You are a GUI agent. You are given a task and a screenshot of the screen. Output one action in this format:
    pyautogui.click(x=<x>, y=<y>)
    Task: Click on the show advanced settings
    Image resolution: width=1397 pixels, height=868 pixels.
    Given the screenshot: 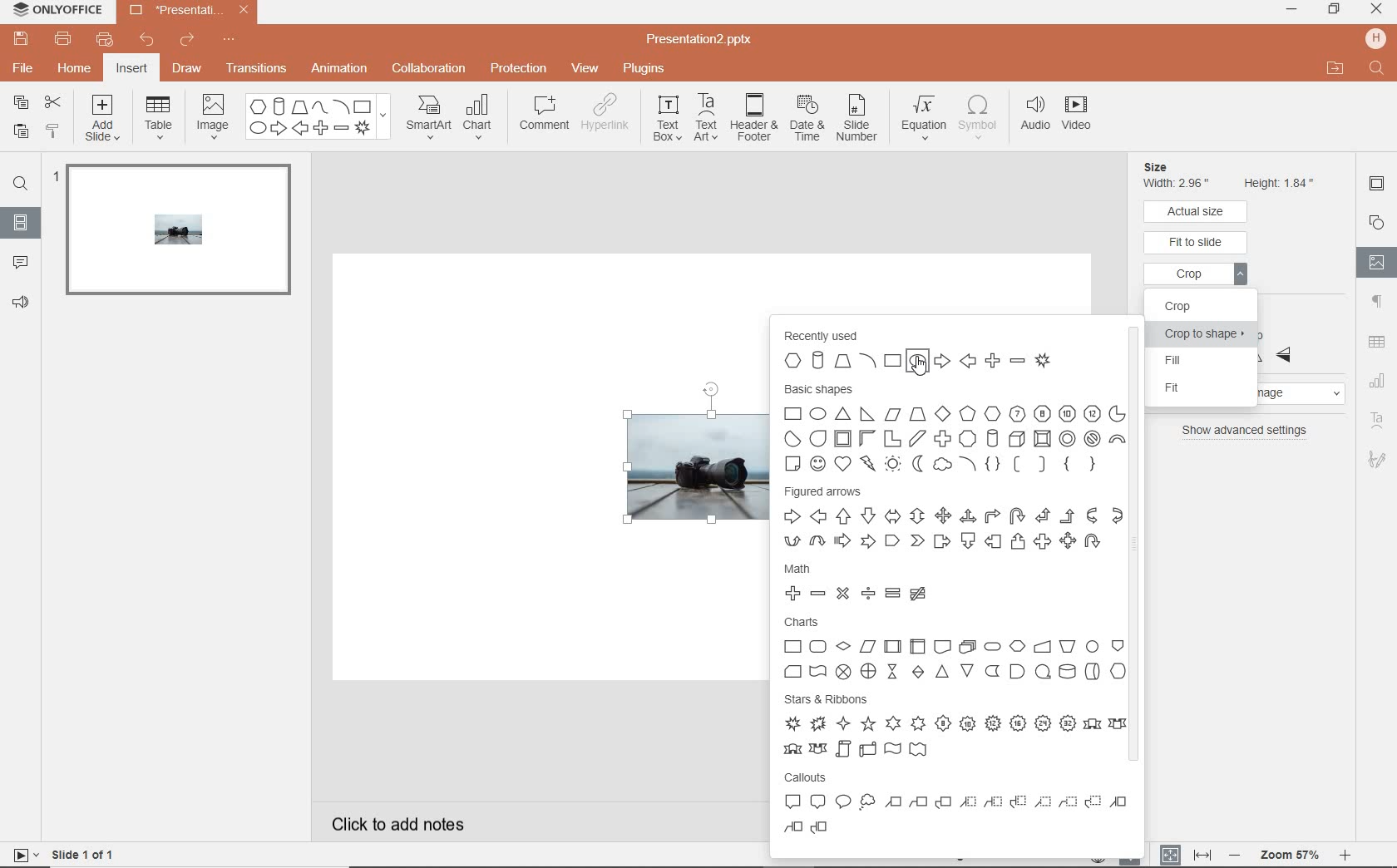 What is the action you would take?
    pyautogui.click(x=1246, y=431)
    